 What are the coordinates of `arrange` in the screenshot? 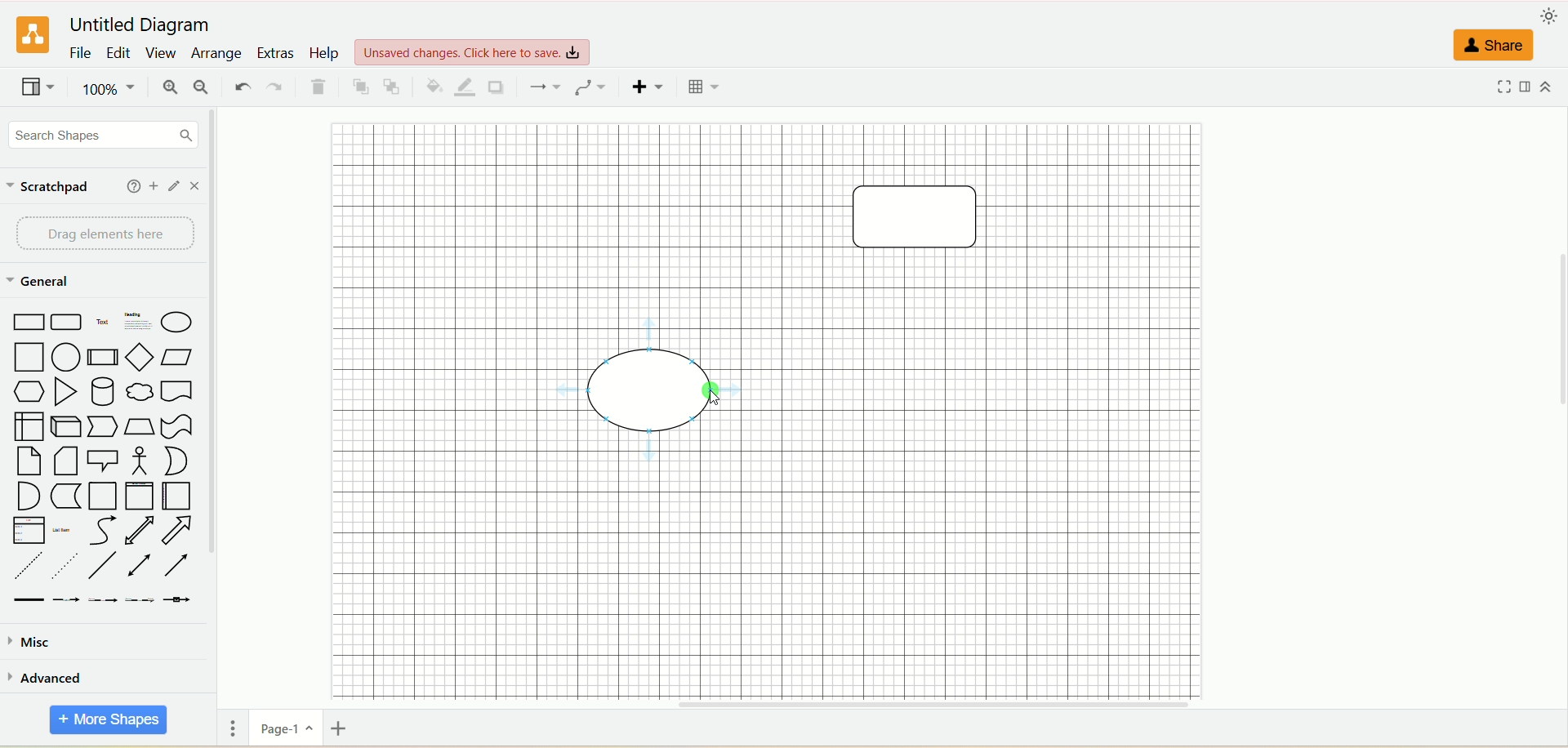 It's located at (218, 52).